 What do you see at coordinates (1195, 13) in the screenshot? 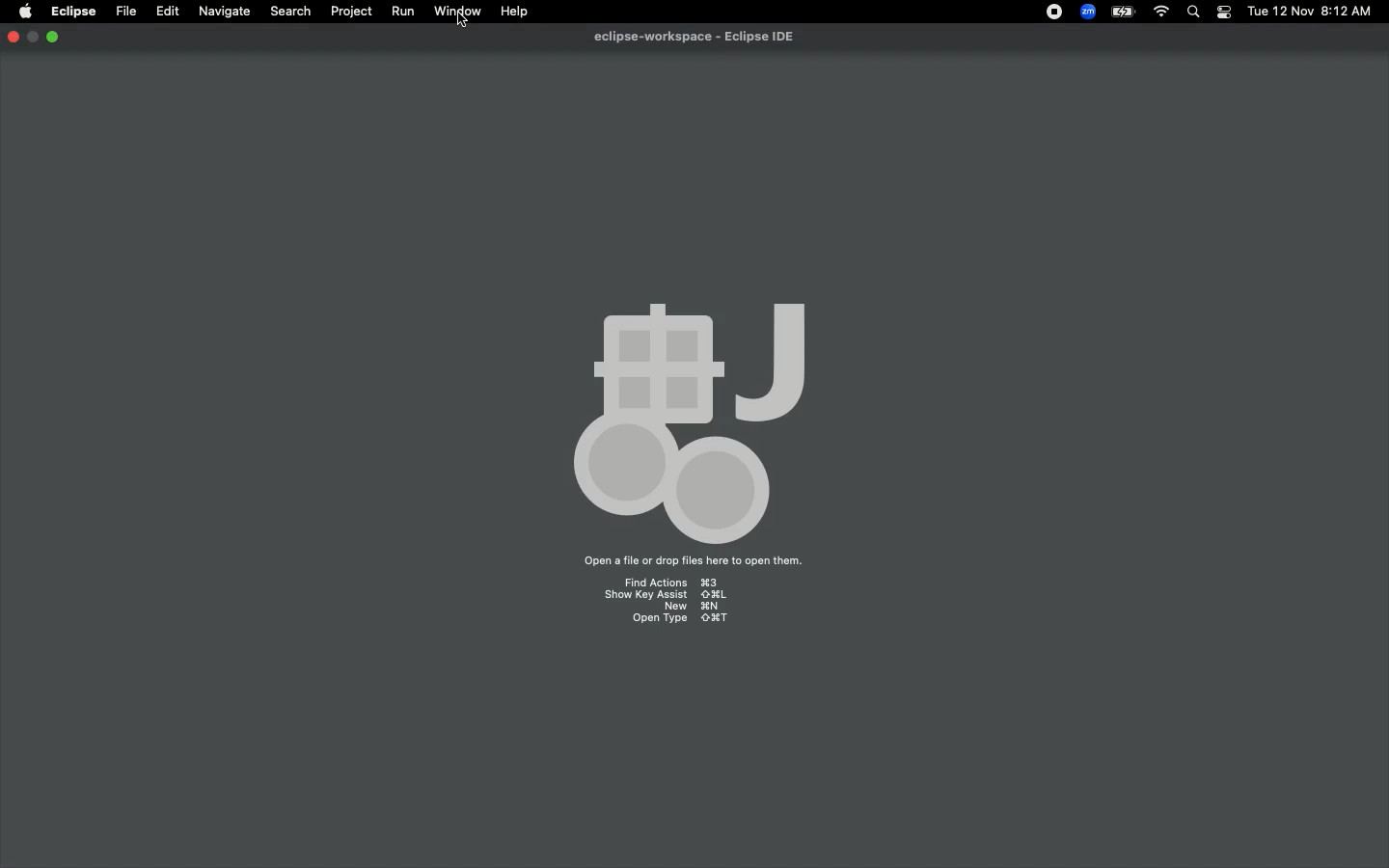
I see `Search` at bounding box center [1195, 13].